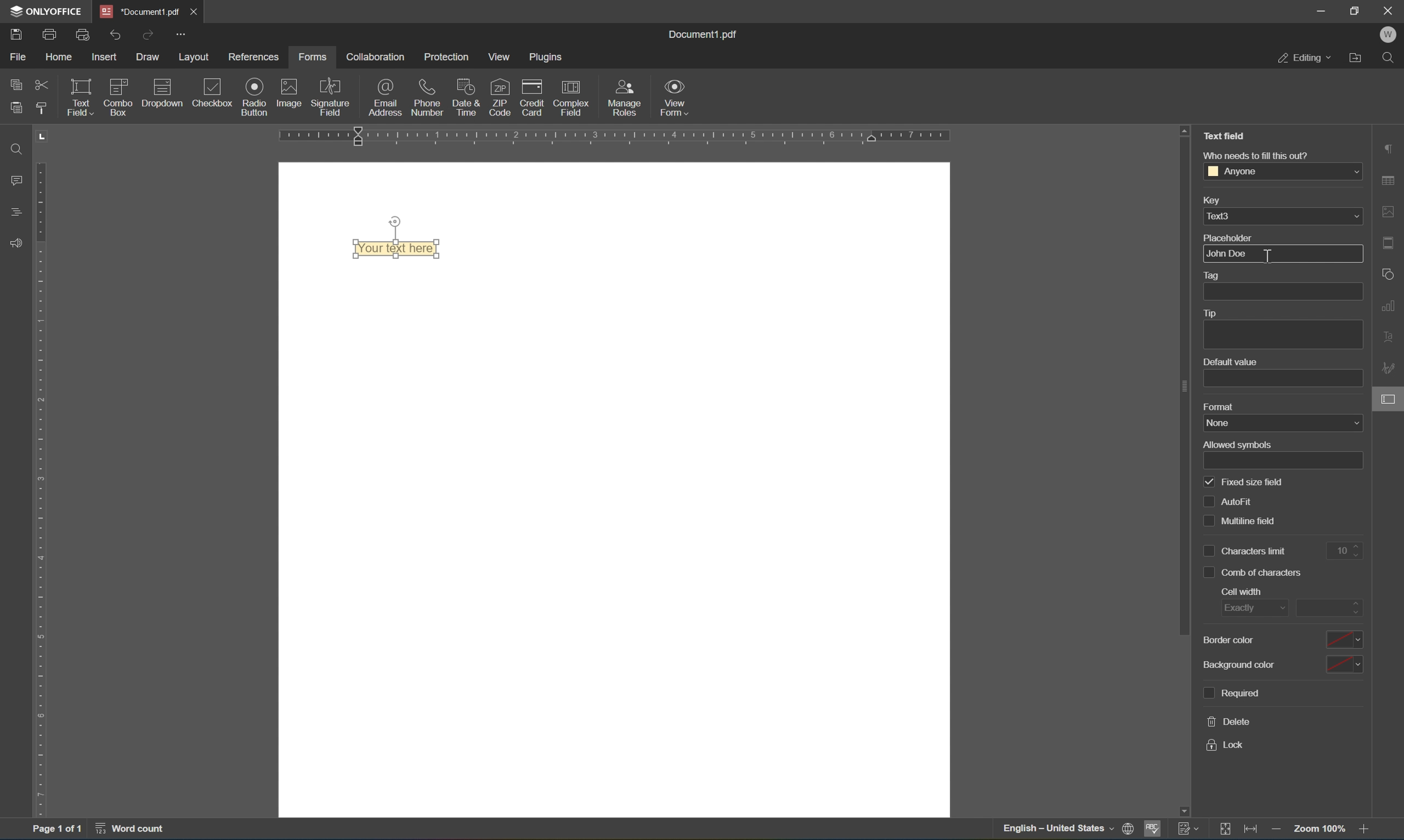 The image size is (1404, 840). Describe the element at coordinates (19, 179) in the screenshot. I see `comments` at that location.